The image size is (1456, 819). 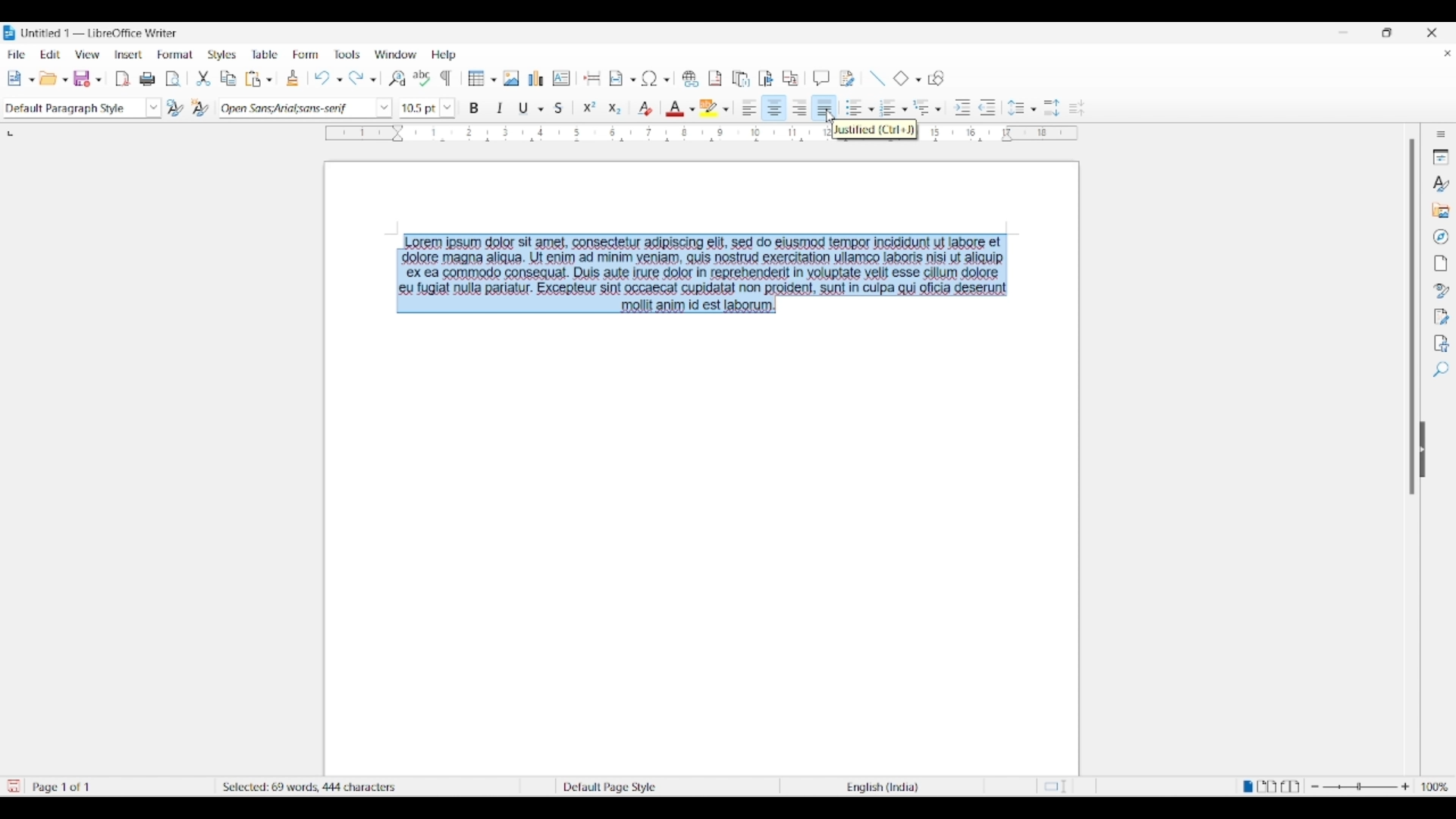 What do you see at coordinates (1412, 317) in the screenshot?
I see `Vertical slide bar` at bounding box center [1412, 317].